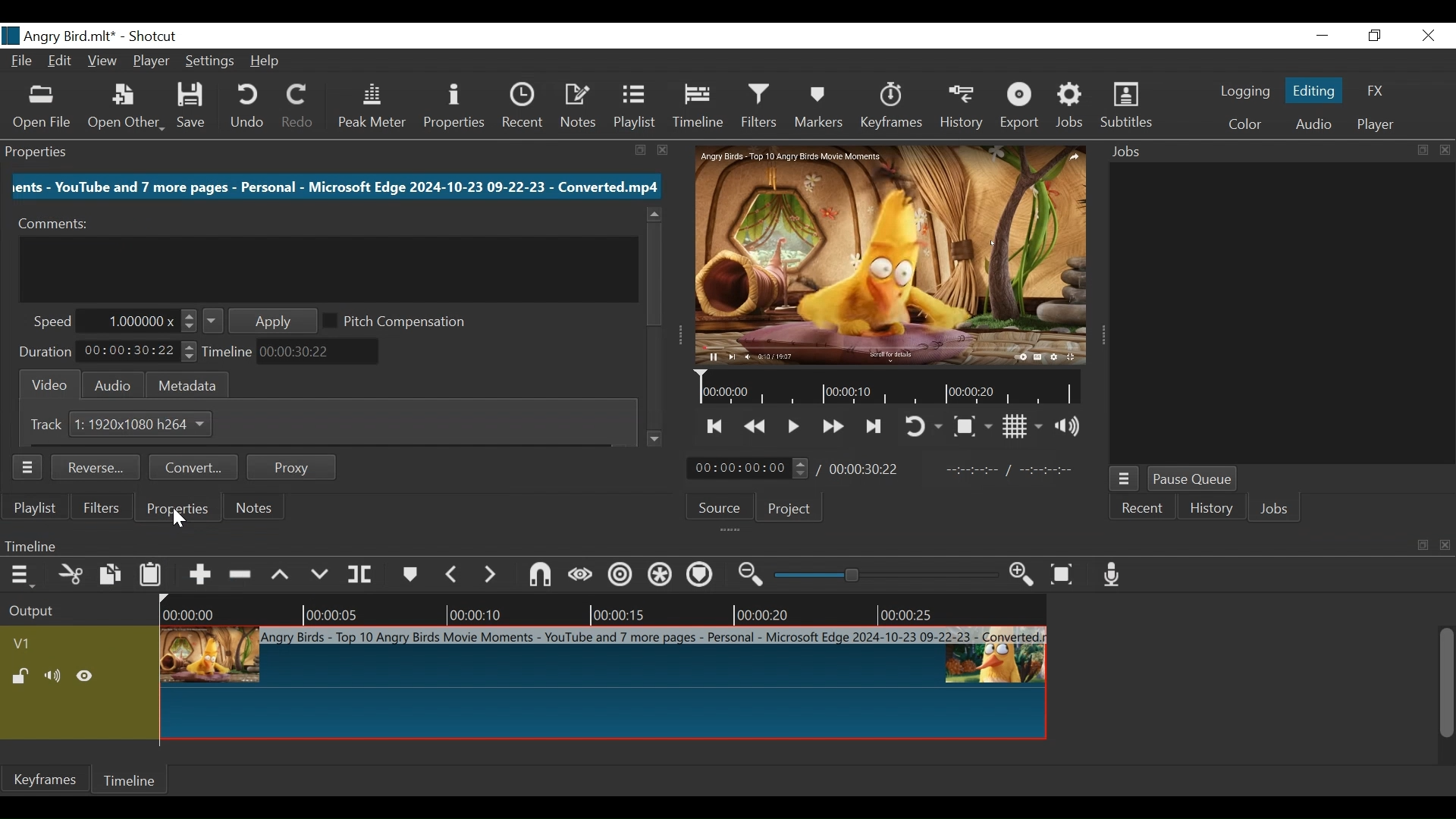 This screenshot has height=819, width=1456. What do you see at coordinates (661, 577) in the screenshot?
I see `Ripple all tracks` at bounding box center [661, 577].